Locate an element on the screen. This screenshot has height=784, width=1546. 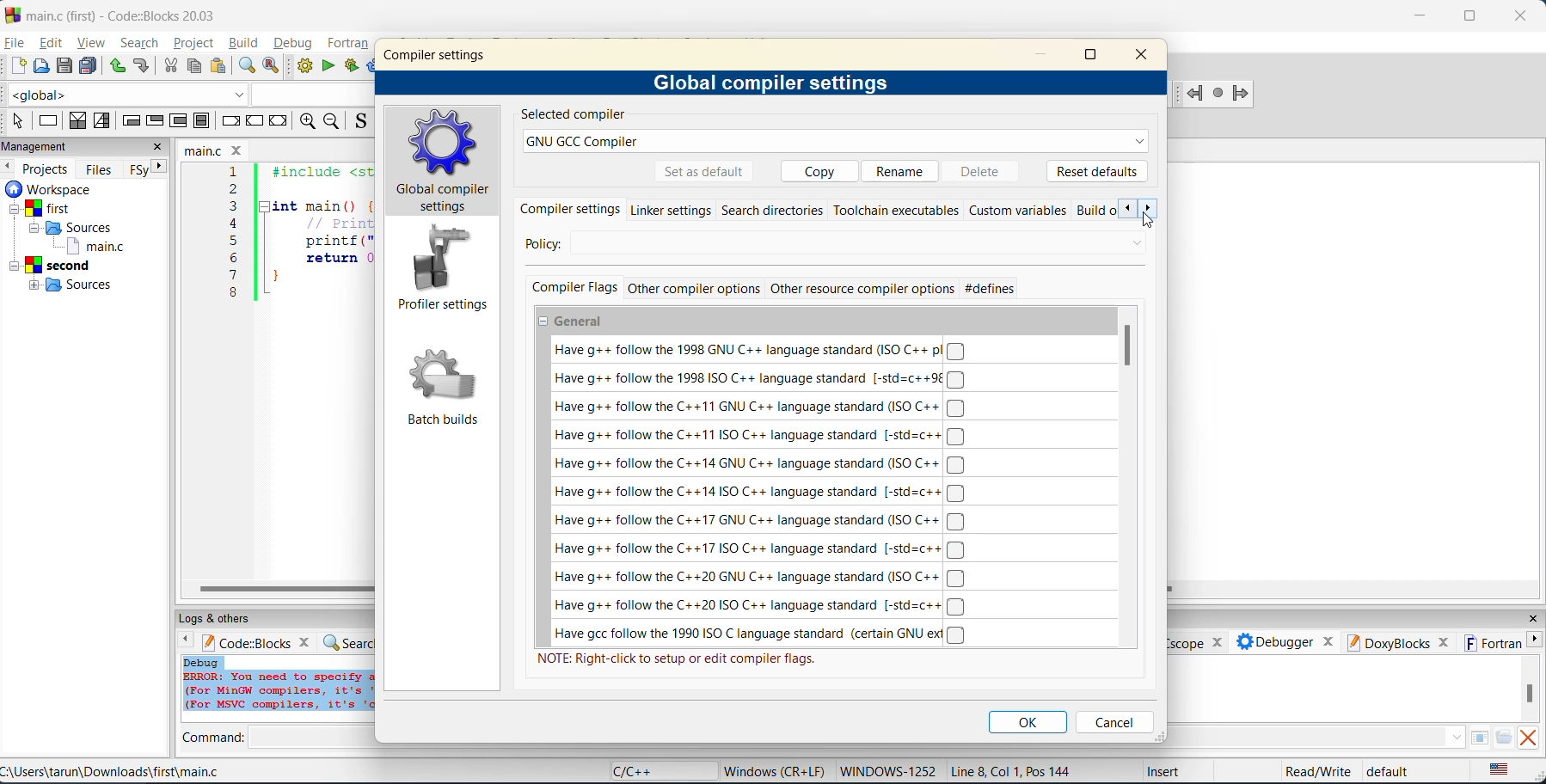
linker settings is located at coordinates (671, 209).